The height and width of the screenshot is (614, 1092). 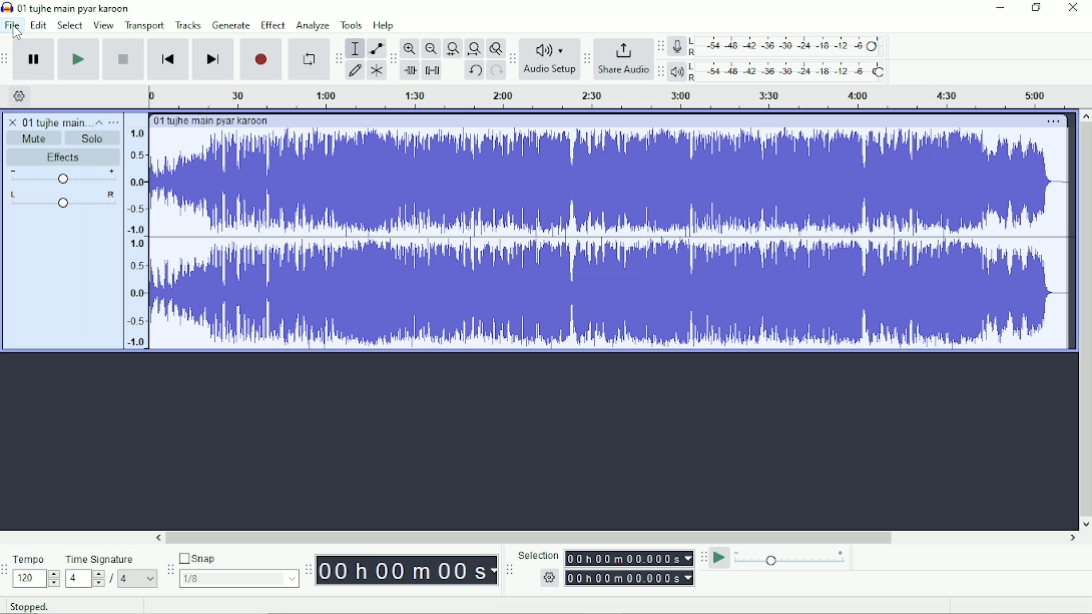 I want to click on Skip to start, so click(x=168, y=59).